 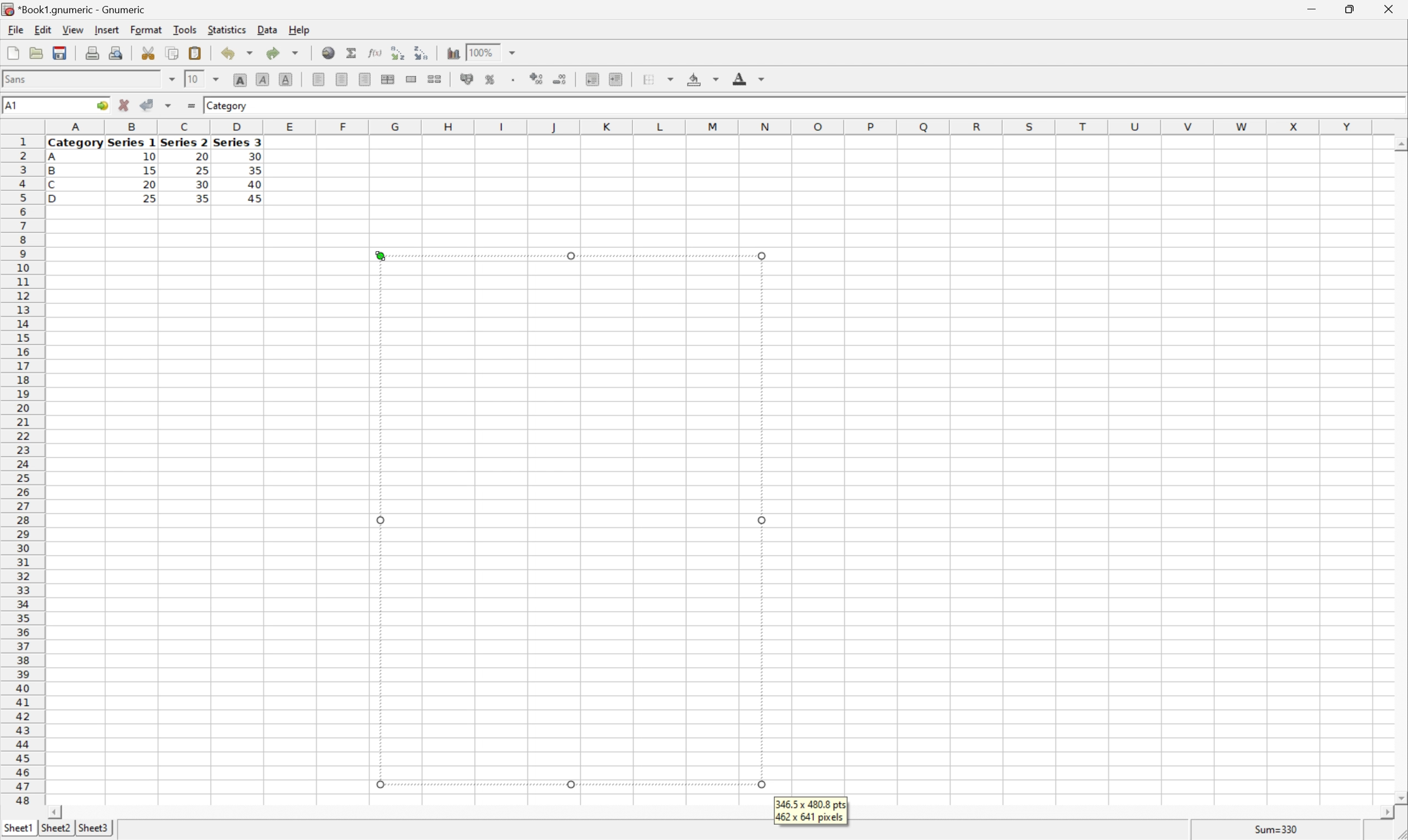 I want to click on Sheet2, so click(x=55, y=828).